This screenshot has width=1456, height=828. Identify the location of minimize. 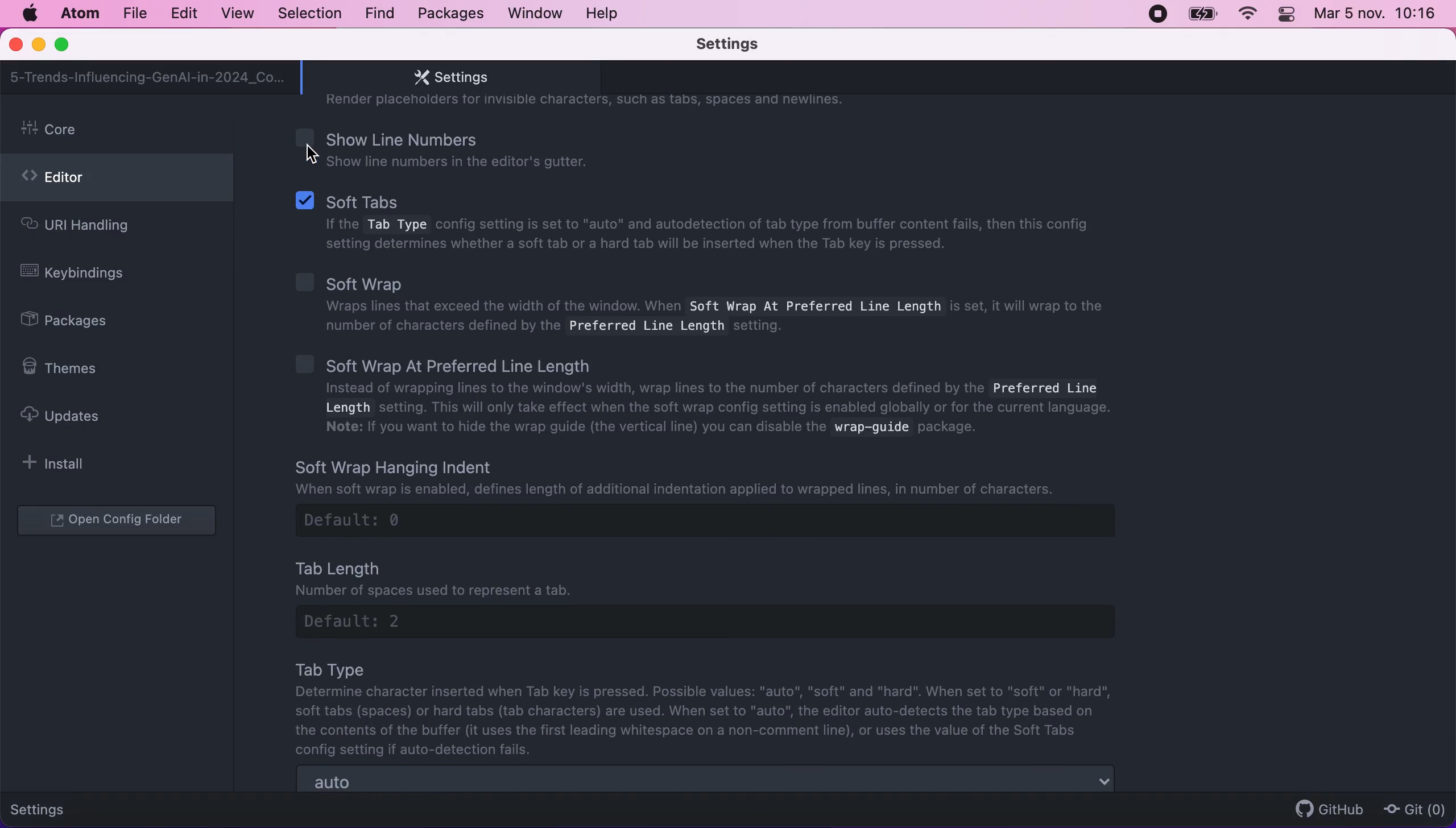
(38, 46).